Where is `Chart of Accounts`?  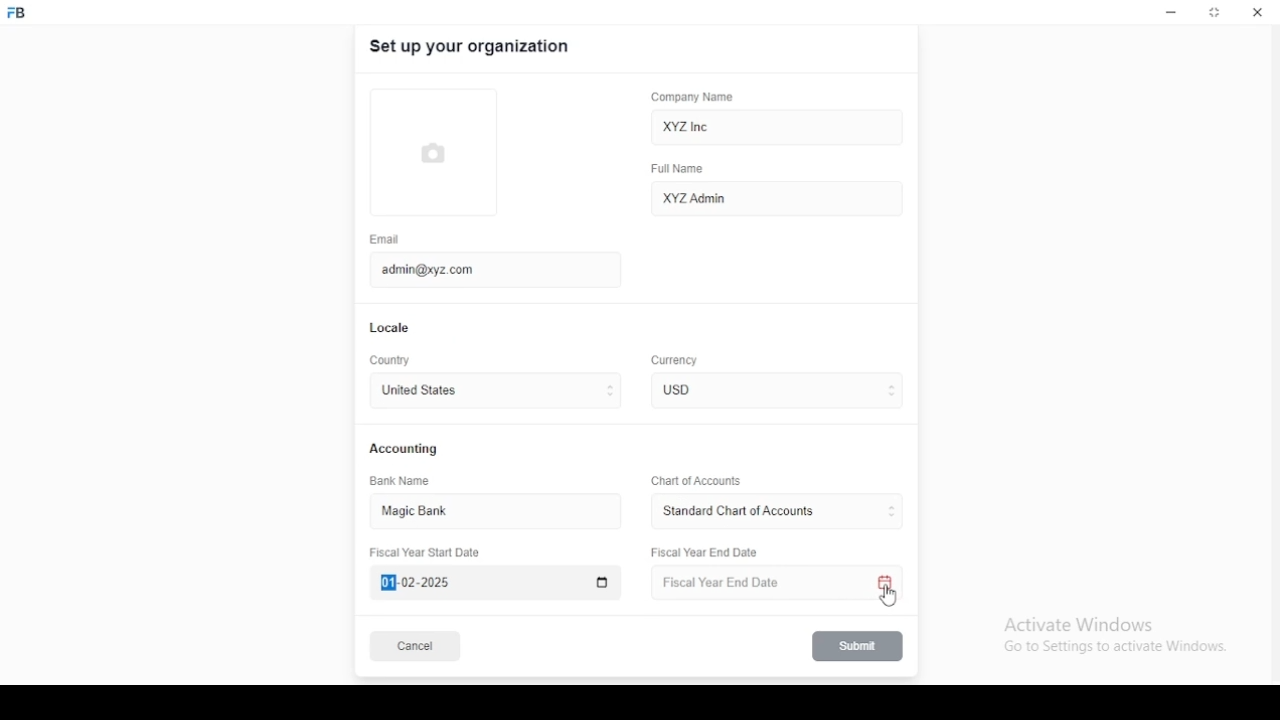
Chart of Accounts is located at coordinates (693, 480).